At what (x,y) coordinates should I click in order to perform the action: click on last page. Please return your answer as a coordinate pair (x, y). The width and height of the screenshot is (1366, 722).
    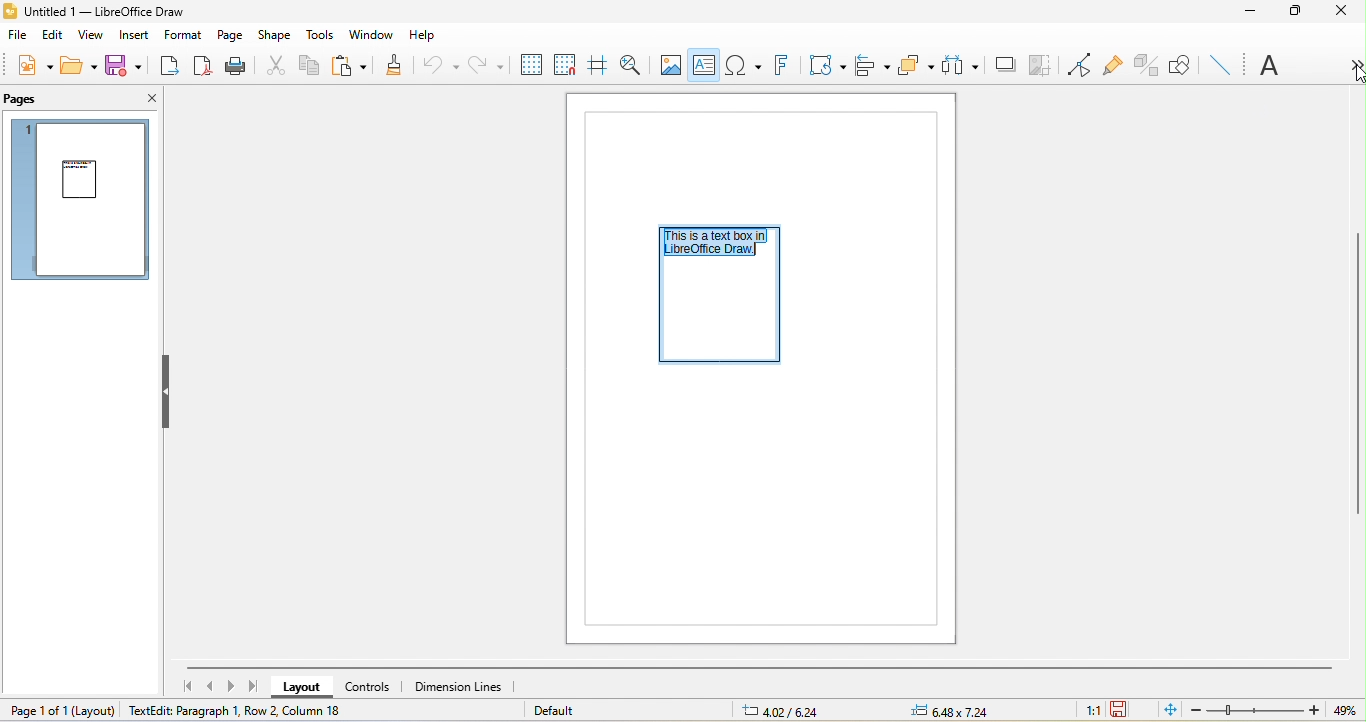
    Looking at the image, I should click on (253, 686).